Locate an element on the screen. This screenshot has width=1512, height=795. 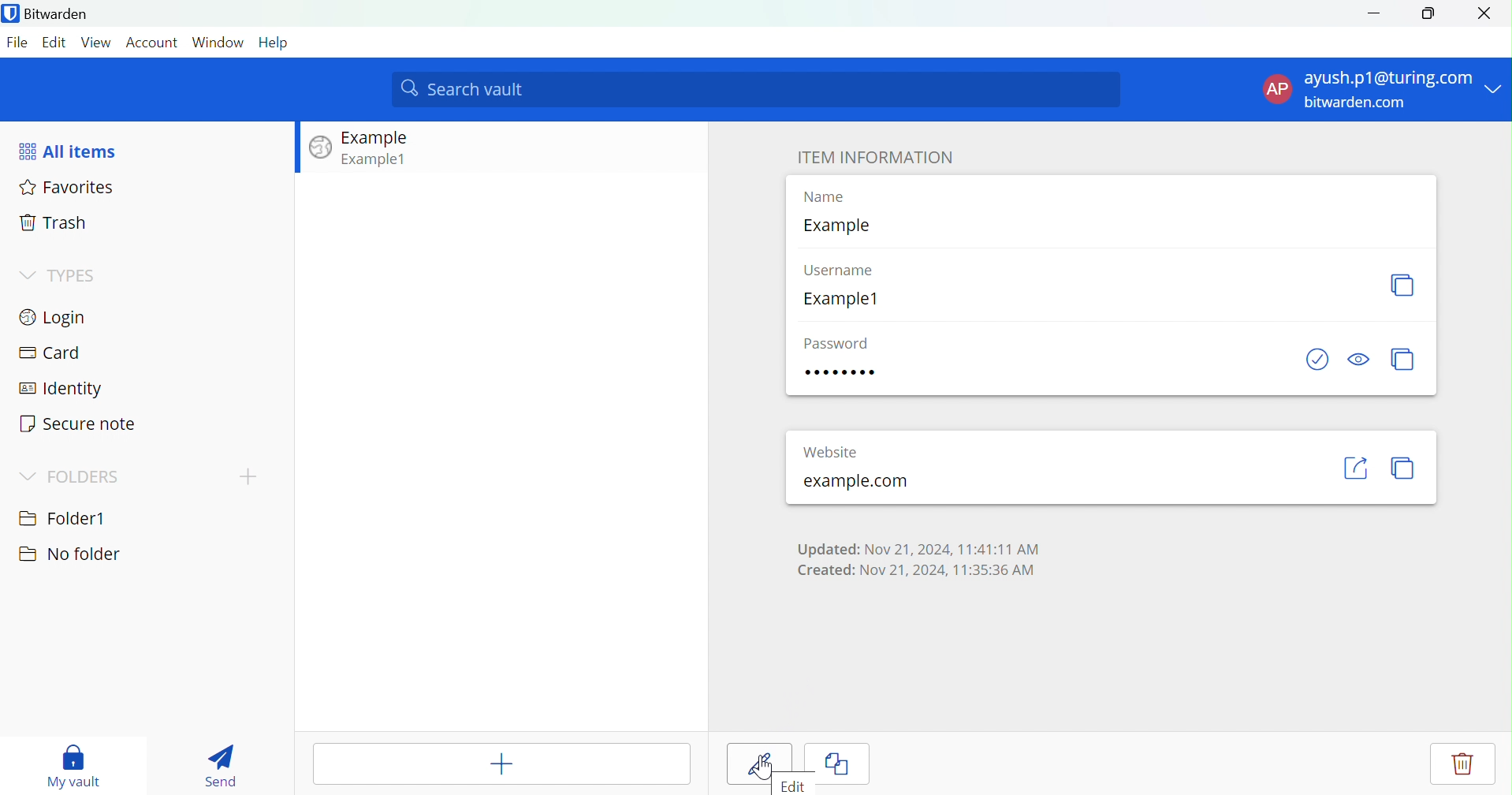
Example1 is located at coordinates (376, 159).